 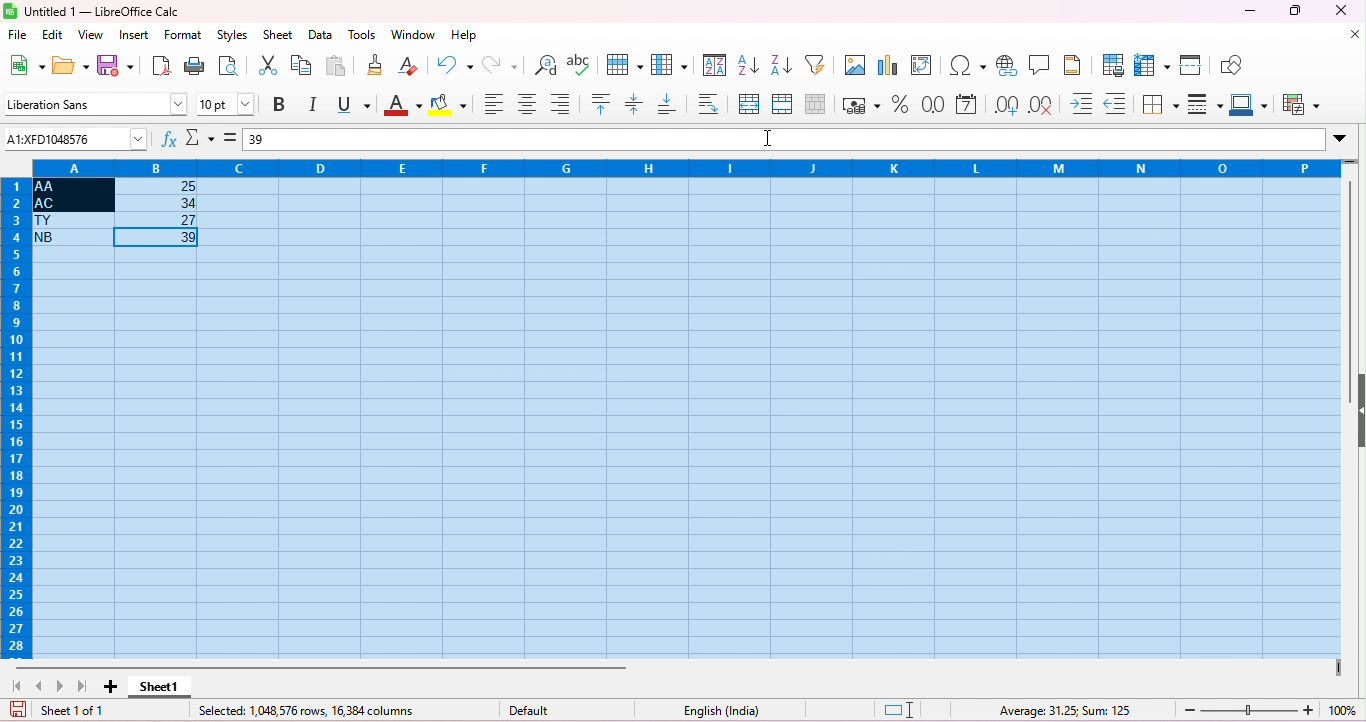 I want to click on freeze rows and columns, so click(x=1154, y=64).